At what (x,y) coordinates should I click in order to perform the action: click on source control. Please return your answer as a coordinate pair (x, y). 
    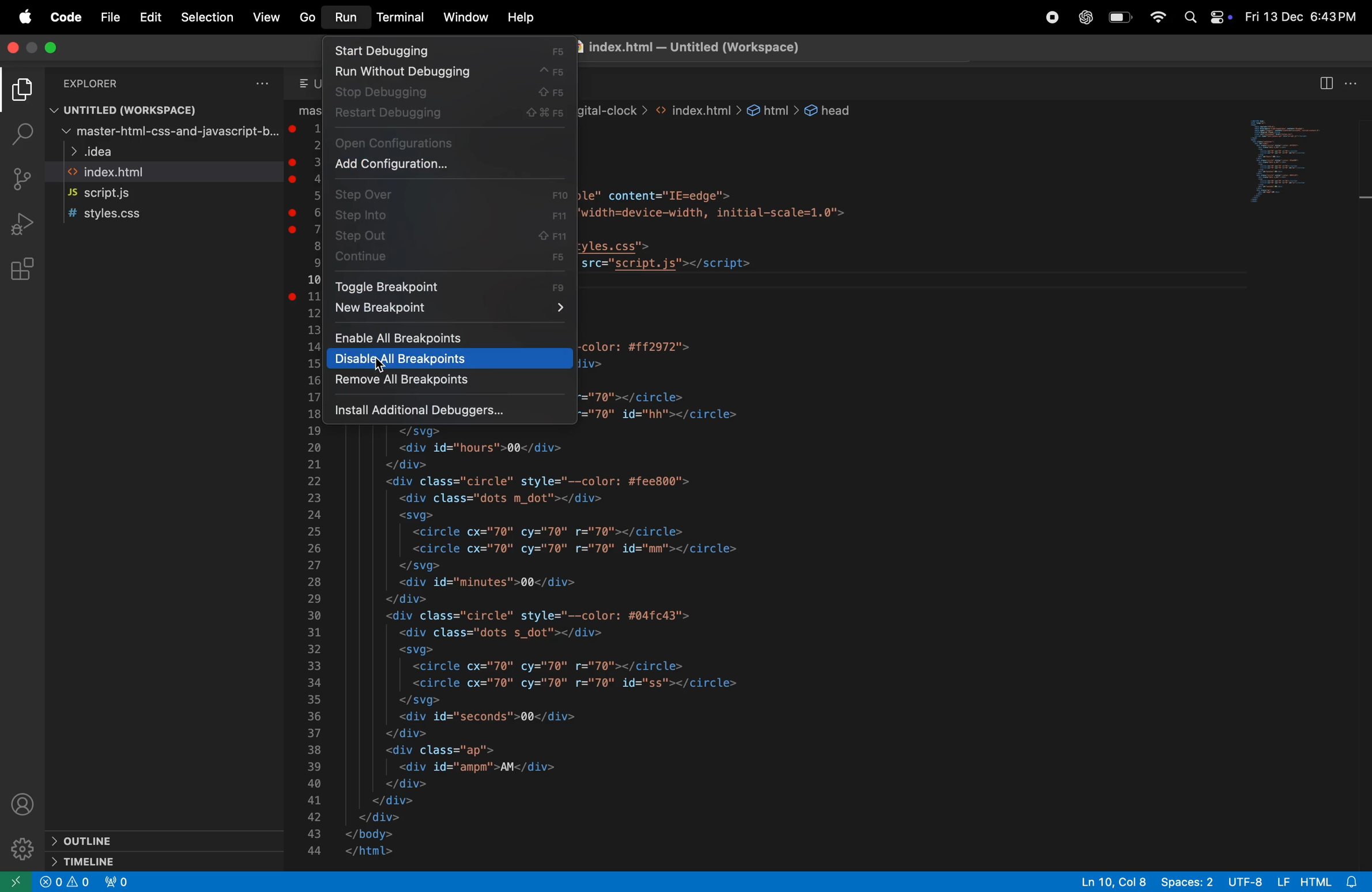
    Looking at the image, I should click on (22, 178).